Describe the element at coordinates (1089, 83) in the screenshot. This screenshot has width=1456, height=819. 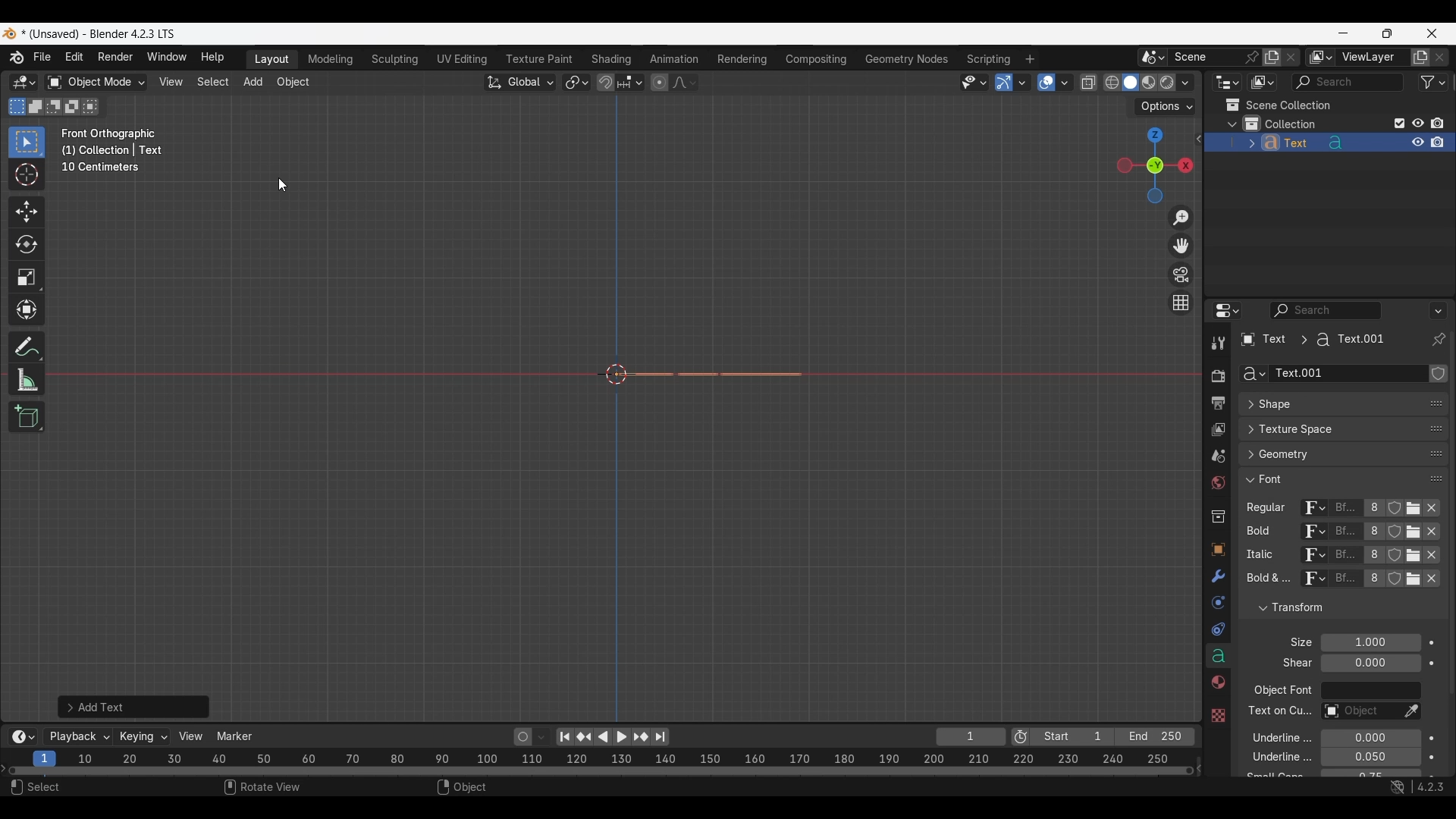
I see `Toggle X-ray` at that location.